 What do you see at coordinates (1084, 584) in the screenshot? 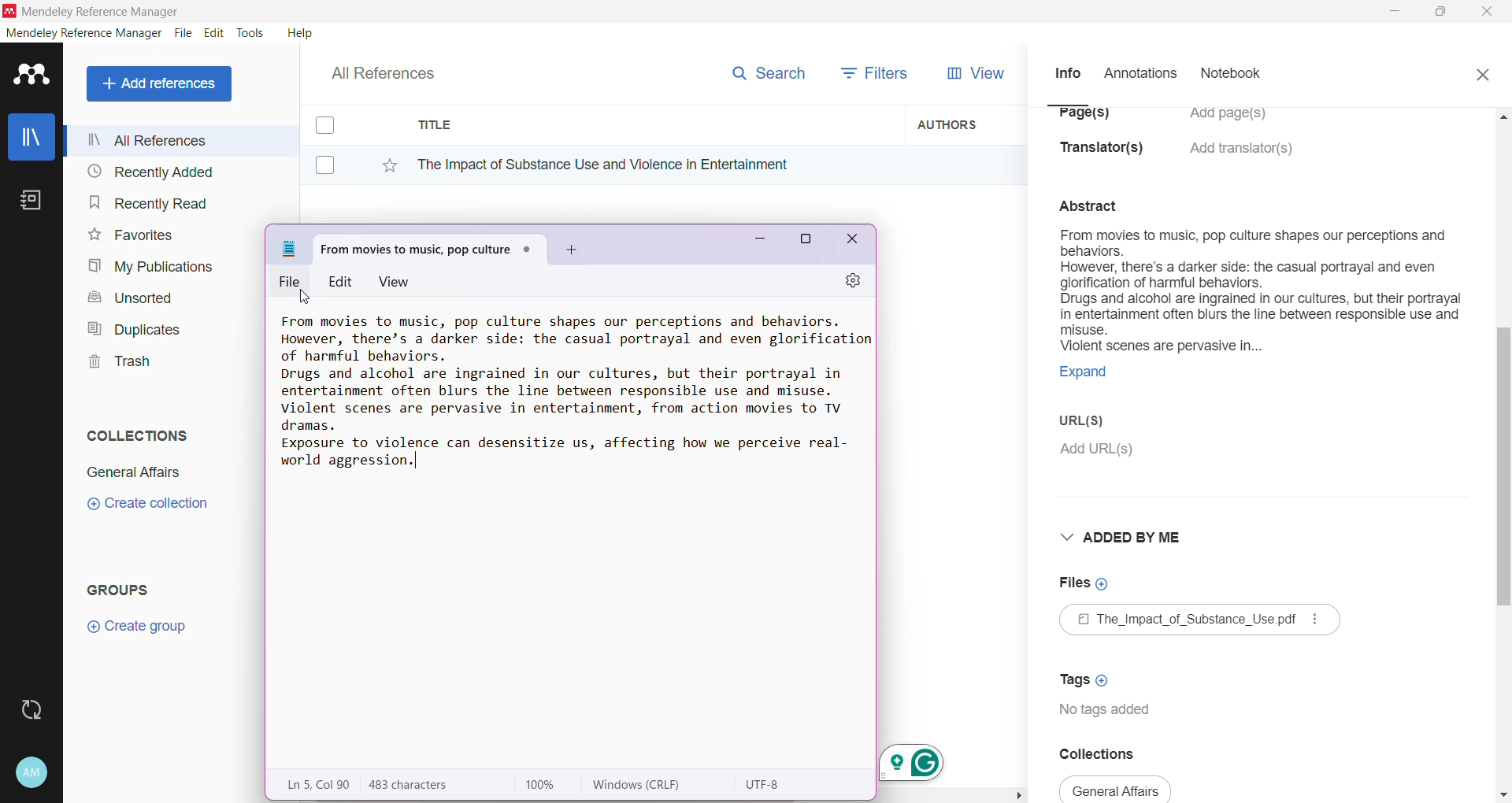
I see `Click to Add Files` at bounding box center [1084, 584].